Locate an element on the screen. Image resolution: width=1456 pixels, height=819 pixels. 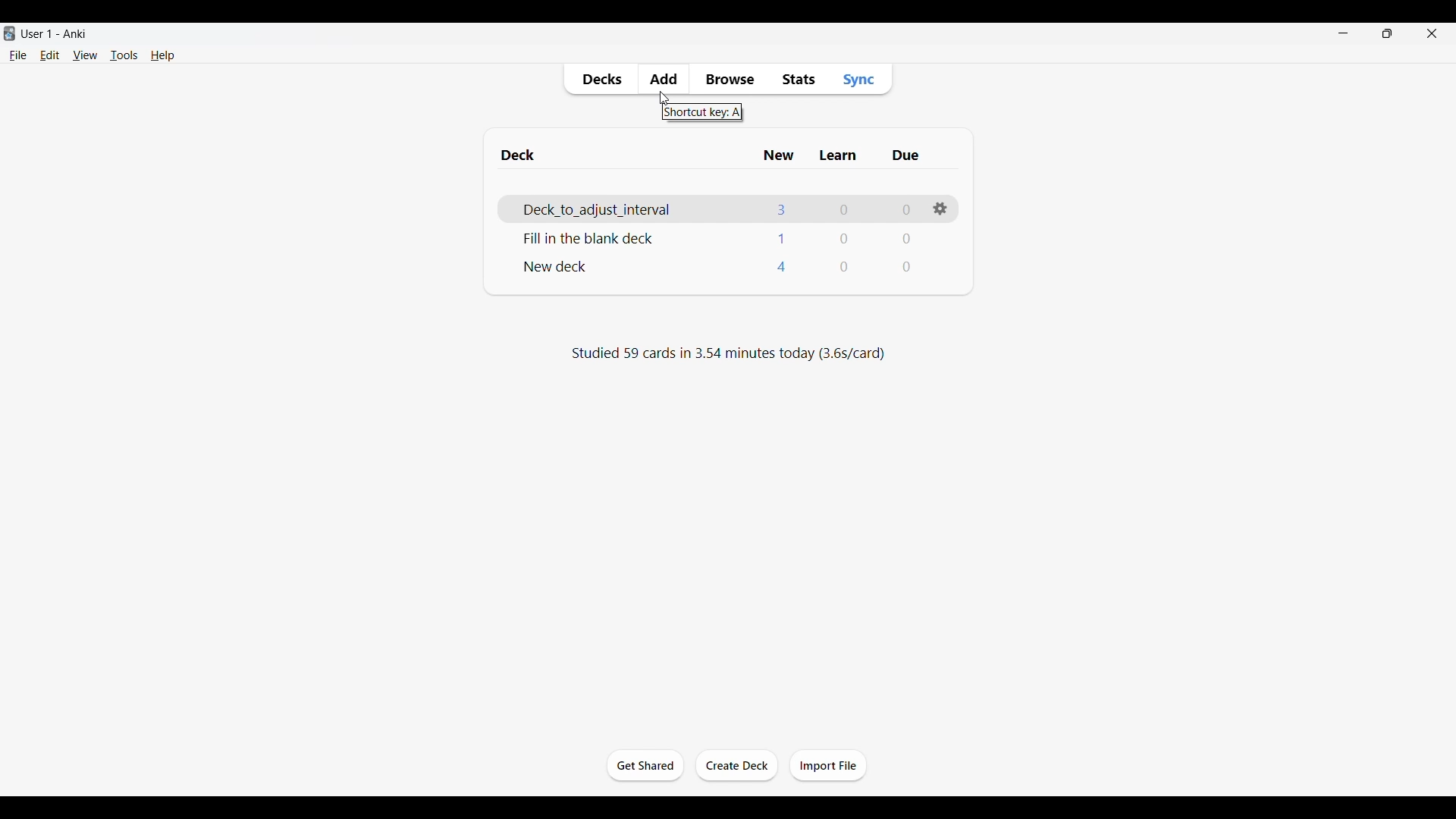
Details specific to each column and deck is located at coordinates (845, 265).